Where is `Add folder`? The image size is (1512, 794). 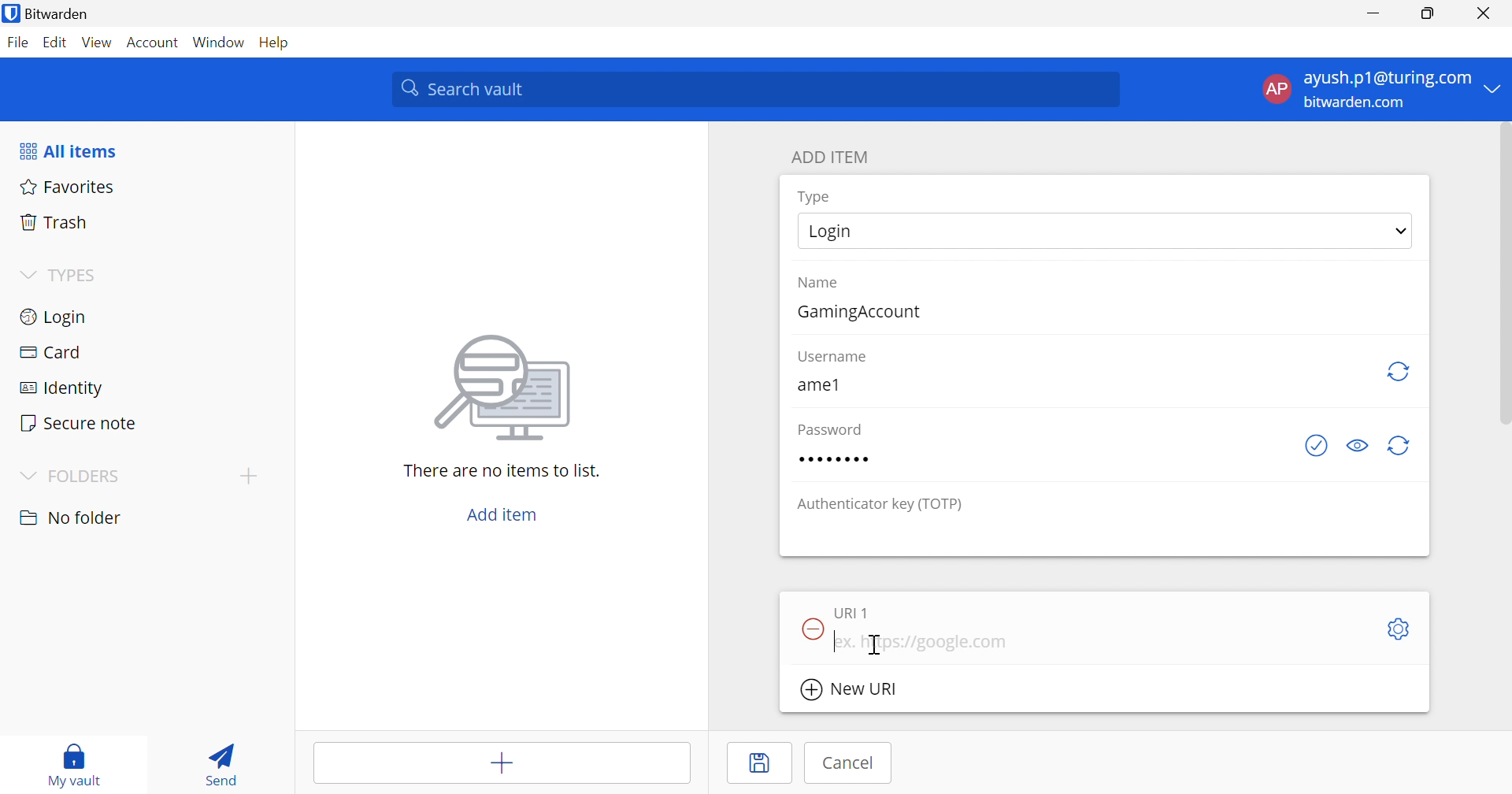 Add folder is located at coordinates (253, 475).